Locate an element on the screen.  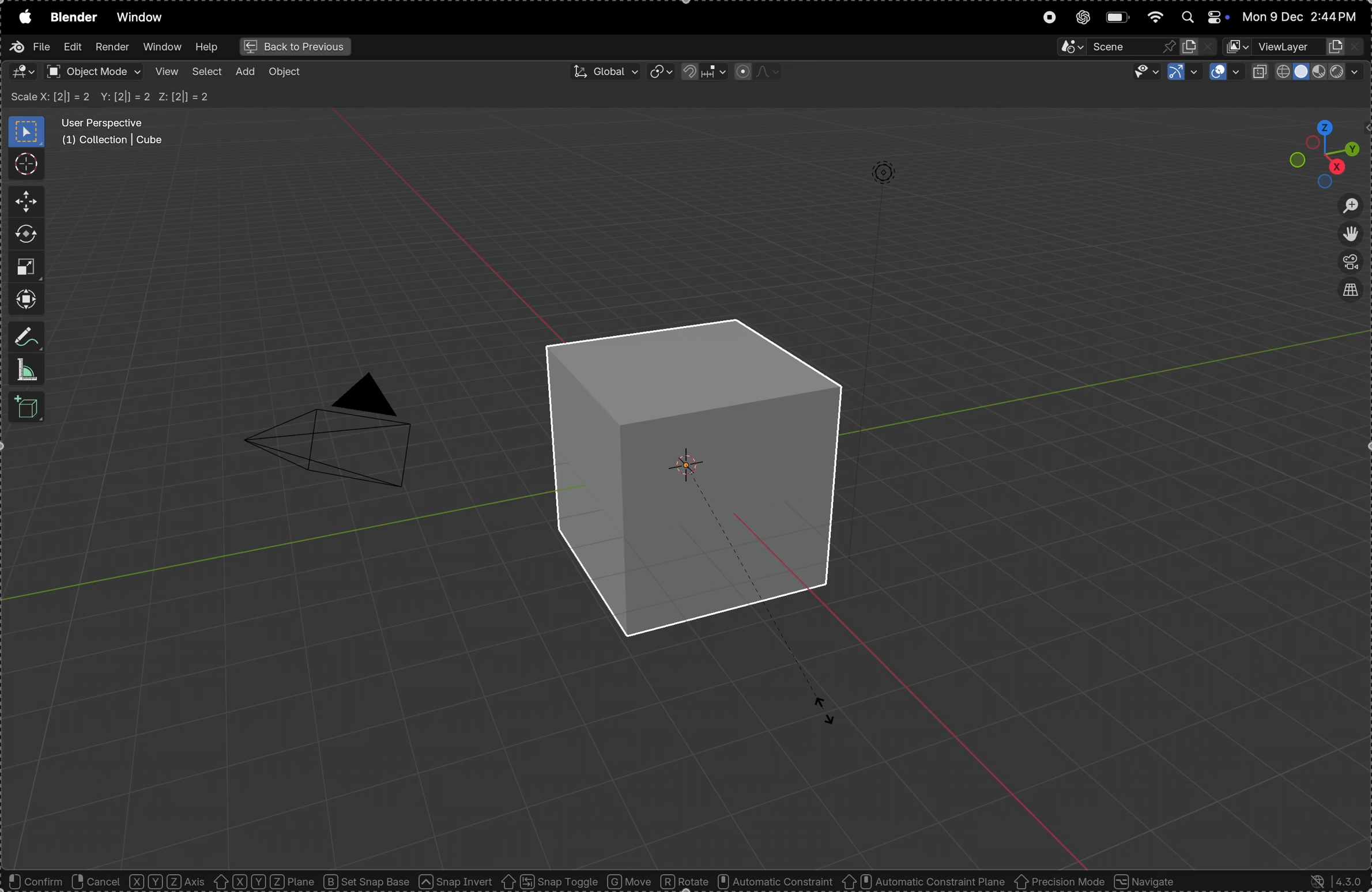
lights is located at coordinates (882, 171).